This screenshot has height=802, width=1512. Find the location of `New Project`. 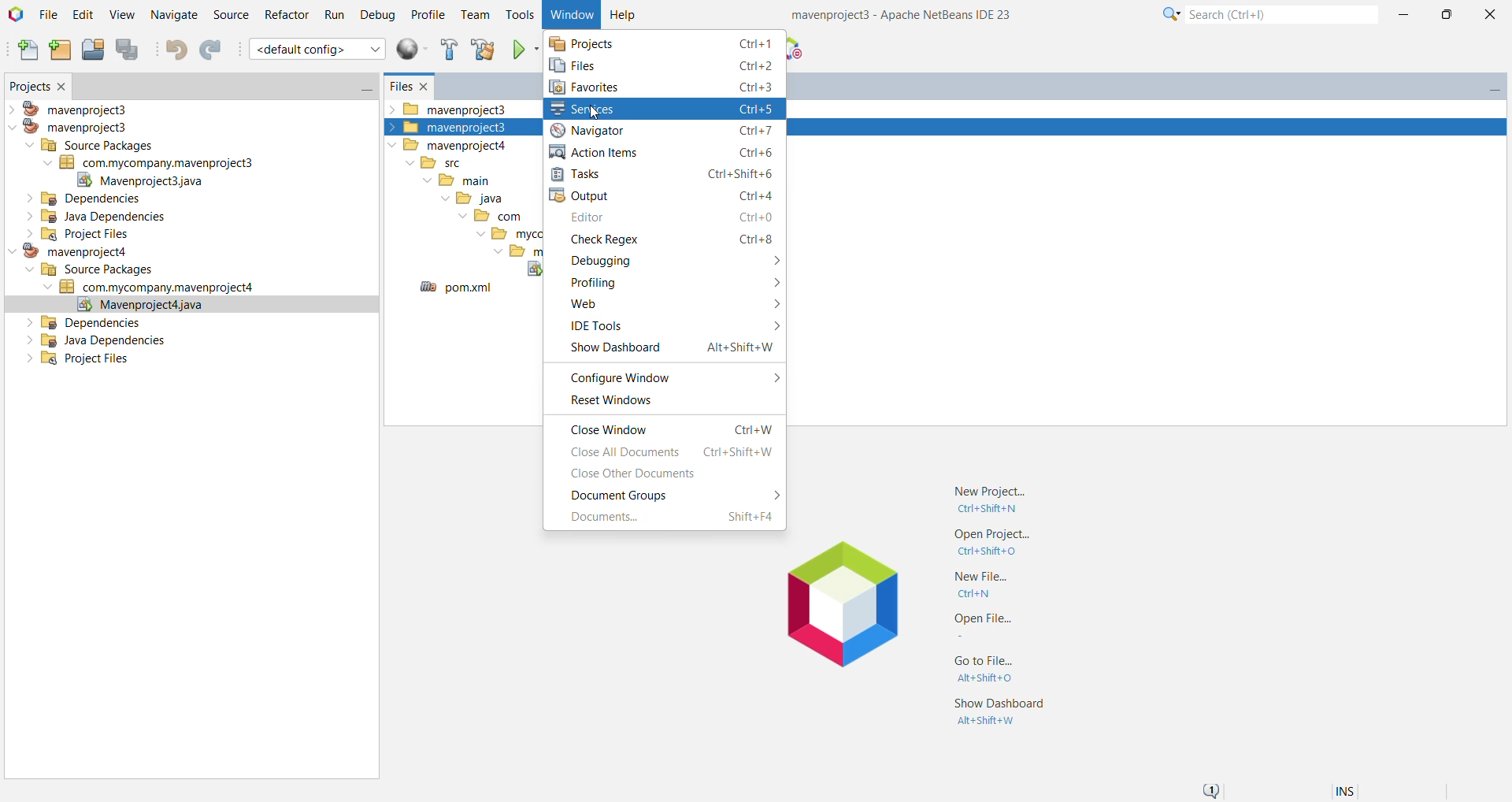

New Project is located at coordinates (57, 50).